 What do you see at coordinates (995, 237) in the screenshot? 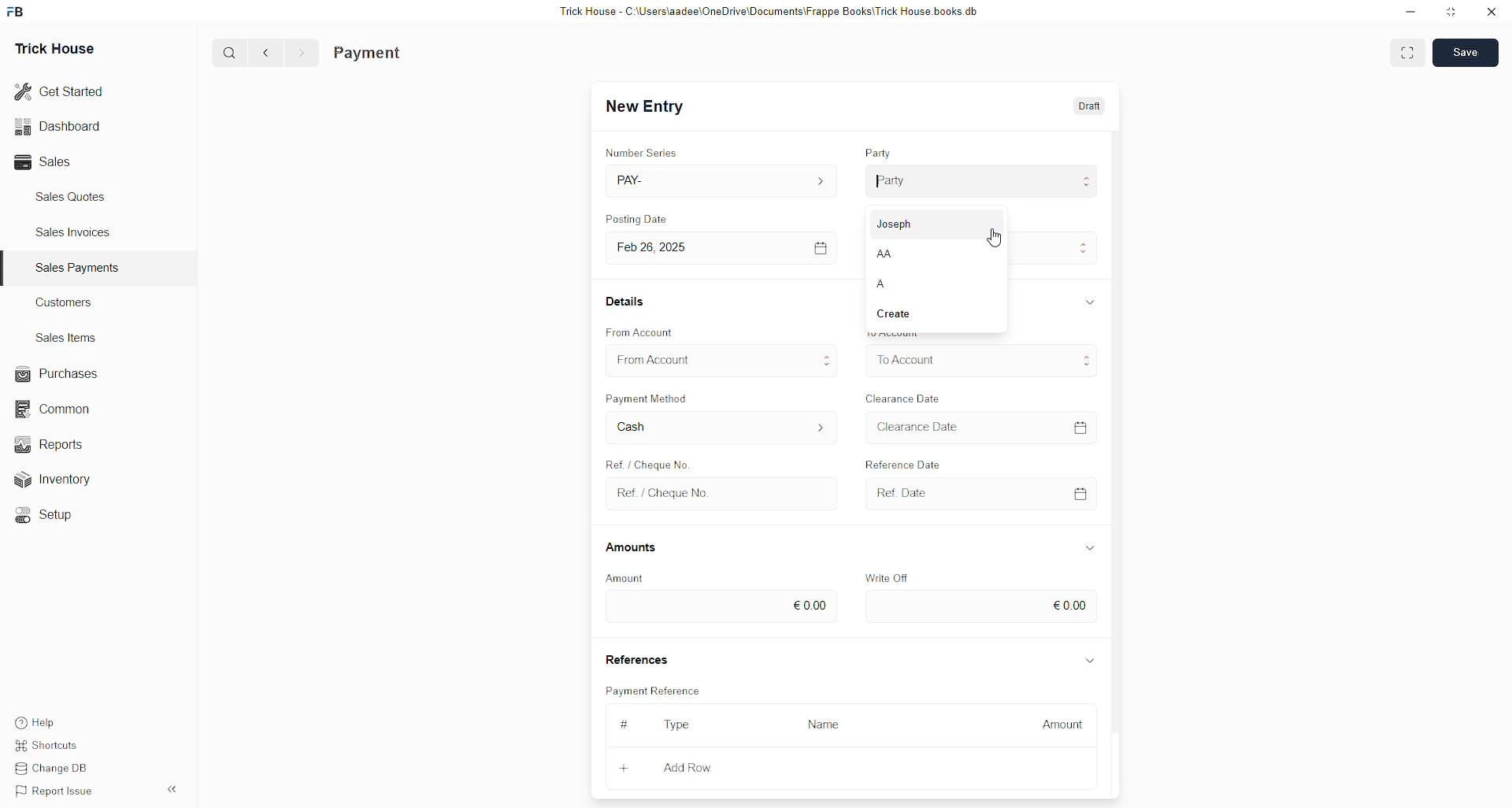
I see `cursor` at bounding box center [995, 237].